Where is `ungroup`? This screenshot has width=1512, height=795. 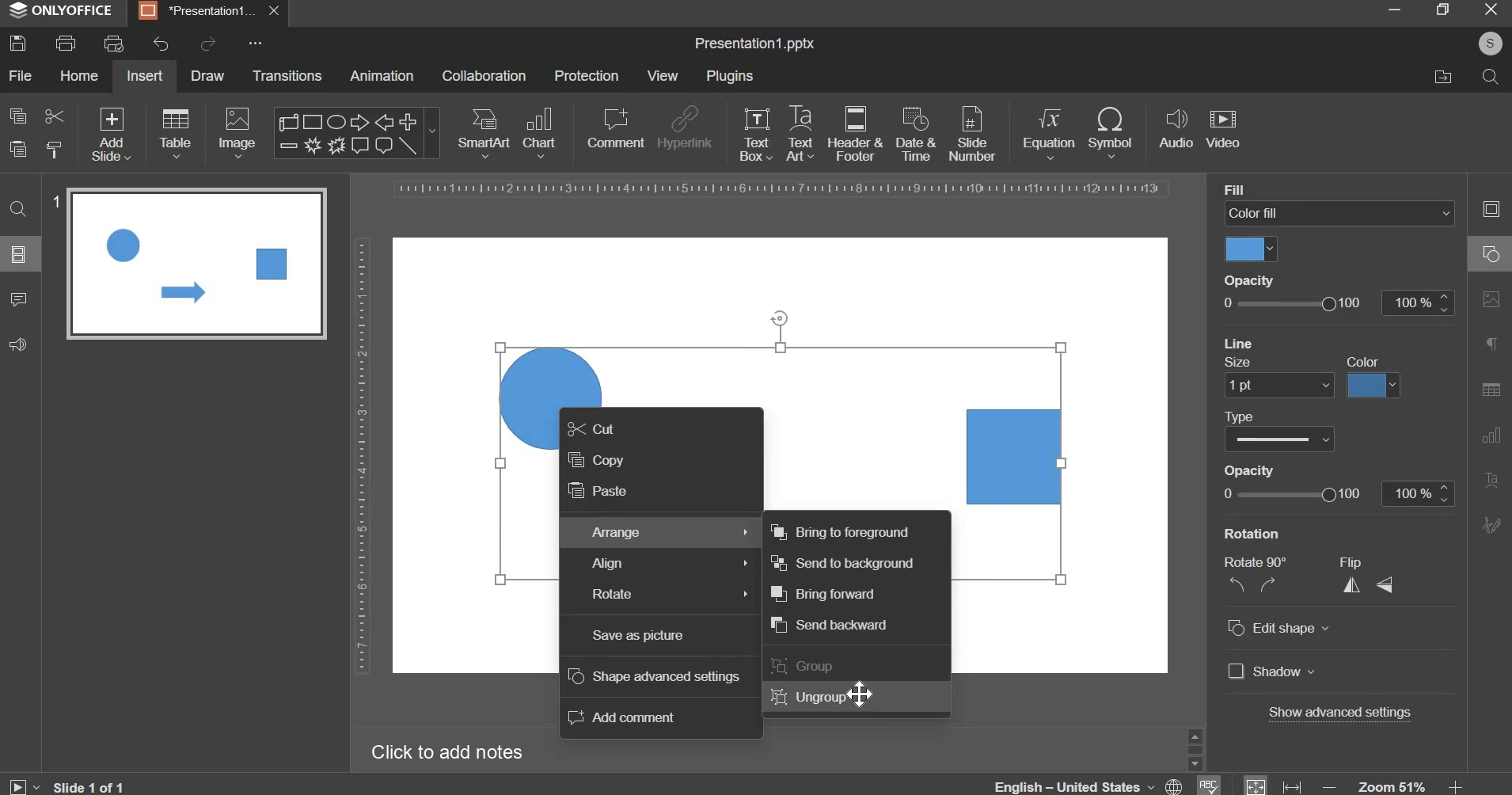
ungroup is located at coordinates (808, 696).